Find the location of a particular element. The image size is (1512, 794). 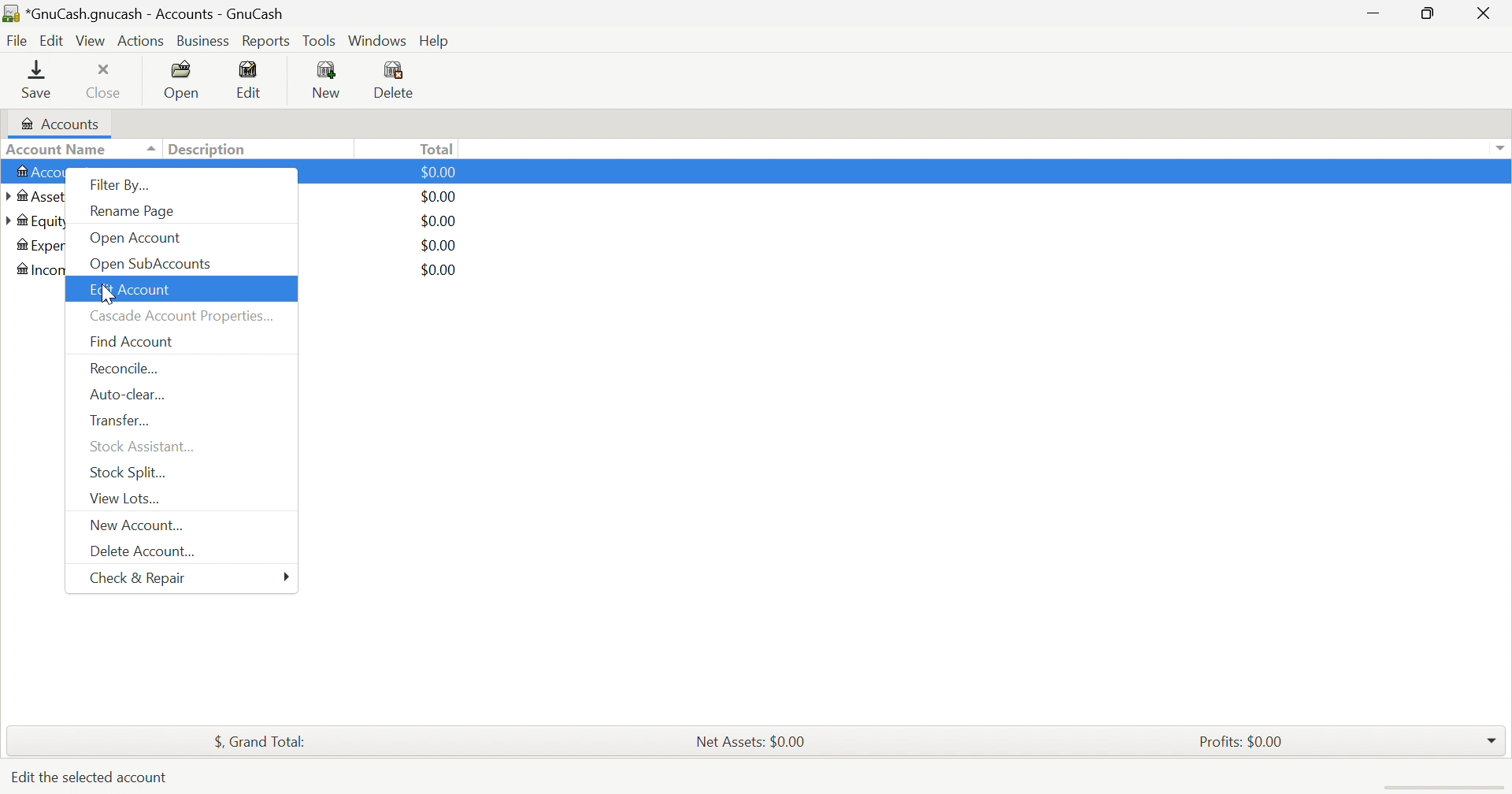

Accounts is located at coordinates (65, 122).